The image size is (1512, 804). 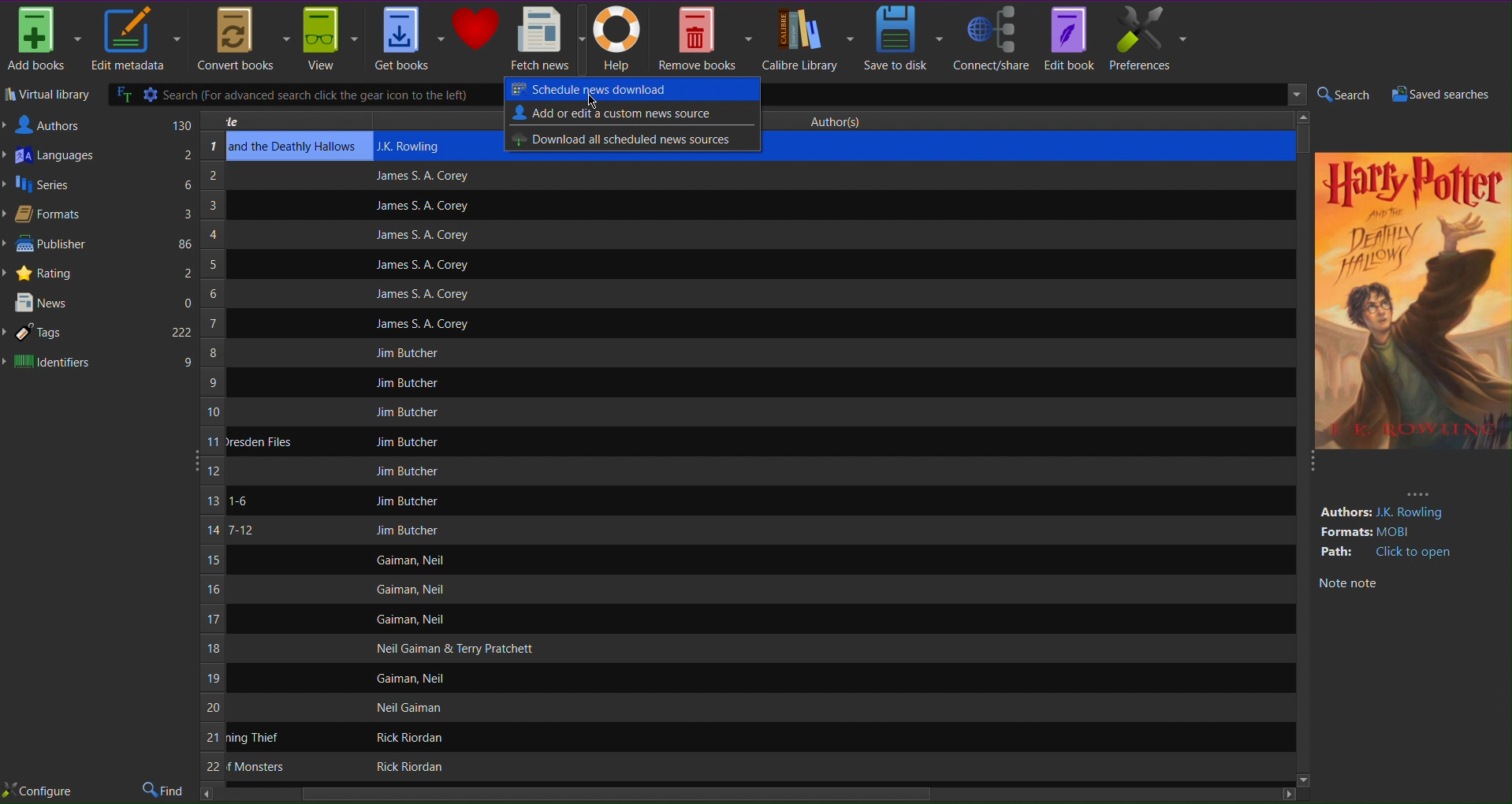 What do you see at coordinates (1149, 38) in the screenshot?
I see `Preferences` at bounding box center [1149, 38].